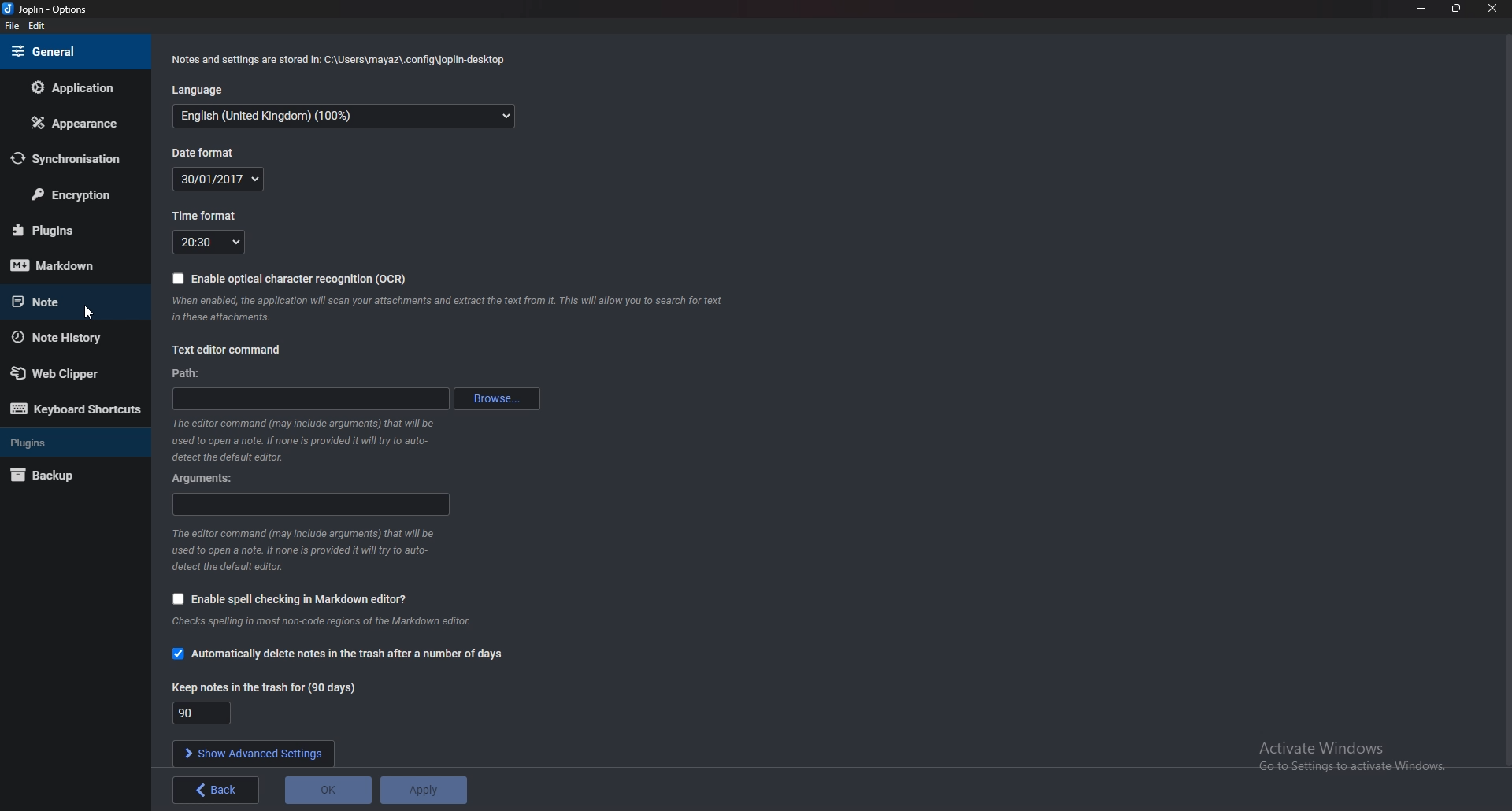 The width and height of the screenshot is (1512, 811). Describe the element at coordinates (425, 790) in the screenshot. I see `Apply` at that location.